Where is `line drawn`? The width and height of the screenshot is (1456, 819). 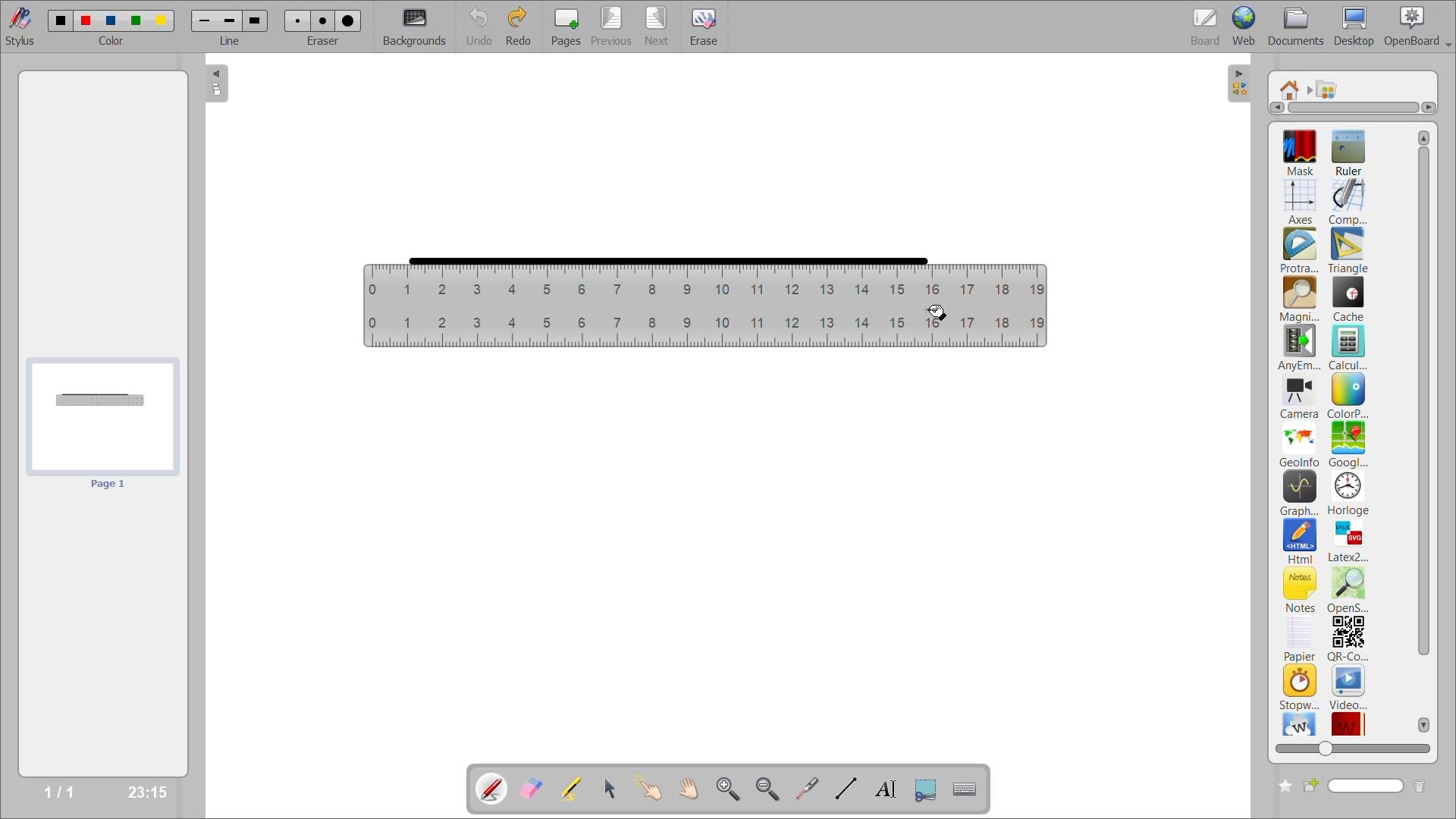 line drawn is located at coordinates (661, 259).